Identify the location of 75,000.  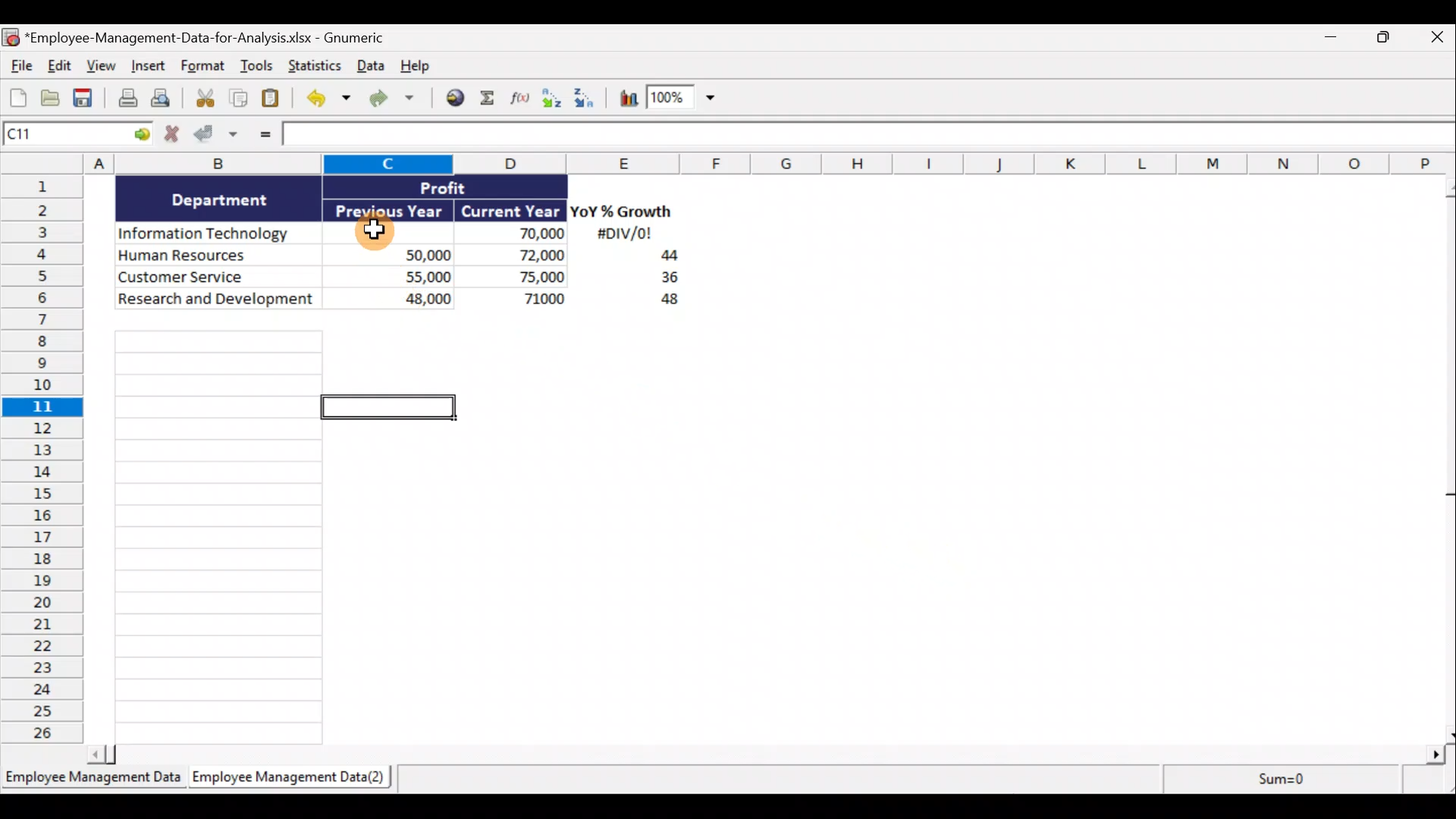
(519, 278).